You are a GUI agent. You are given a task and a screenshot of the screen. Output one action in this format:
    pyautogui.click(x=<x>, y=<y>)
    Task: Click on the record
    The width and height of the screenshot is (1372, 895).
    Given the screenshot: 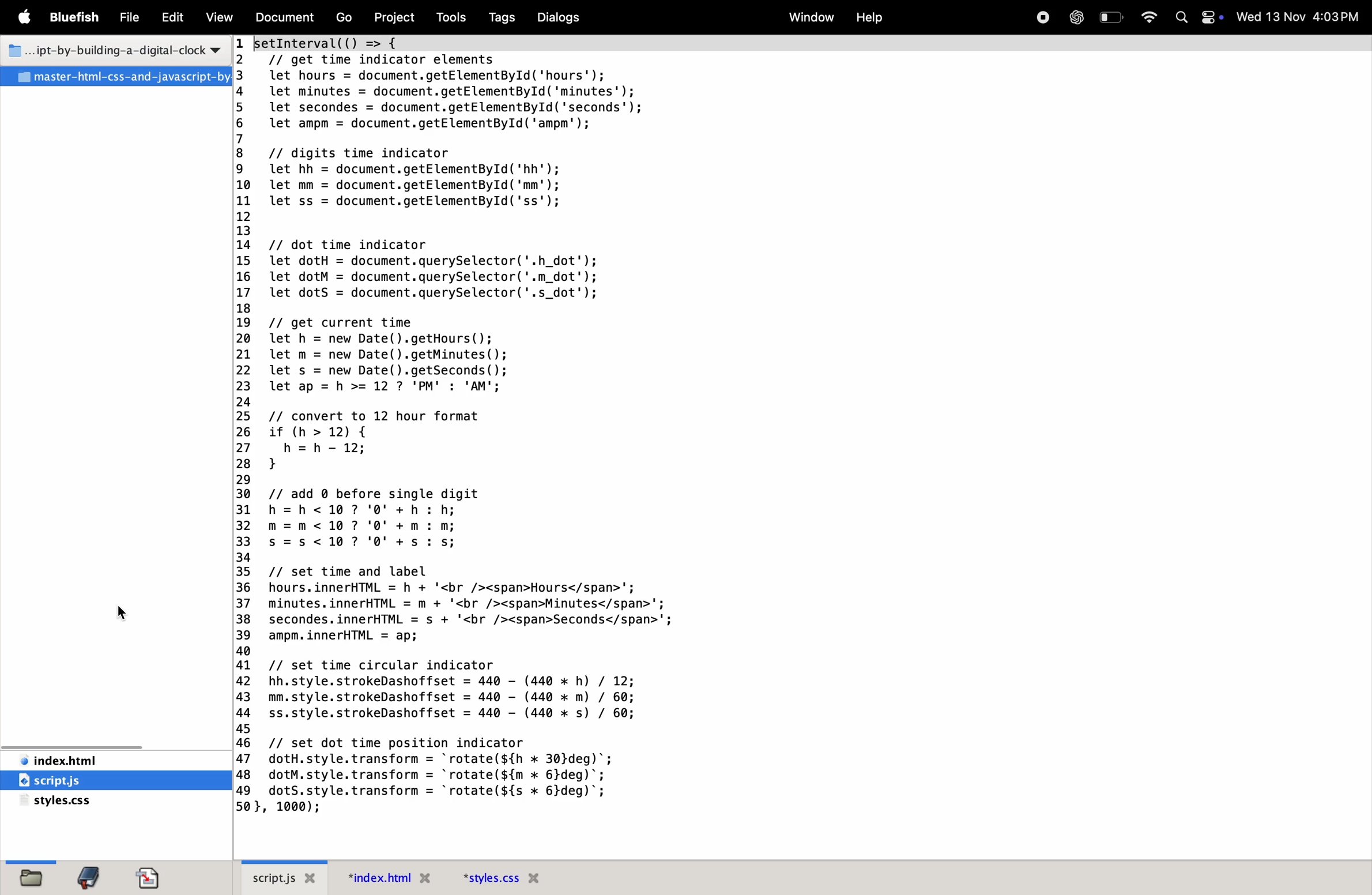 What is the action you would take?
    pyautogui.click(x=1039, y=17)
    